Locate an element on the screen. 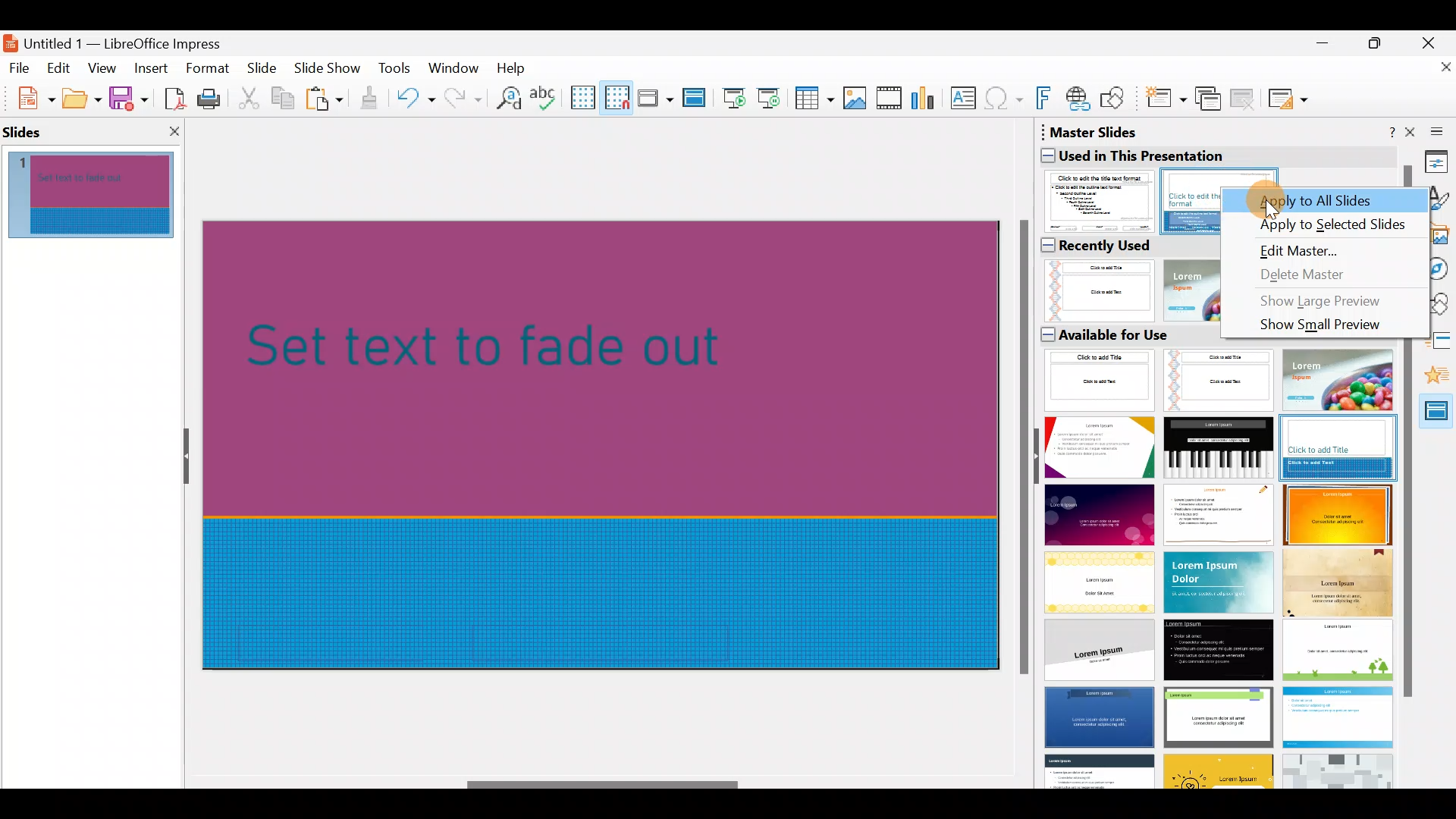  close slide is located at coordinates (174, 130).